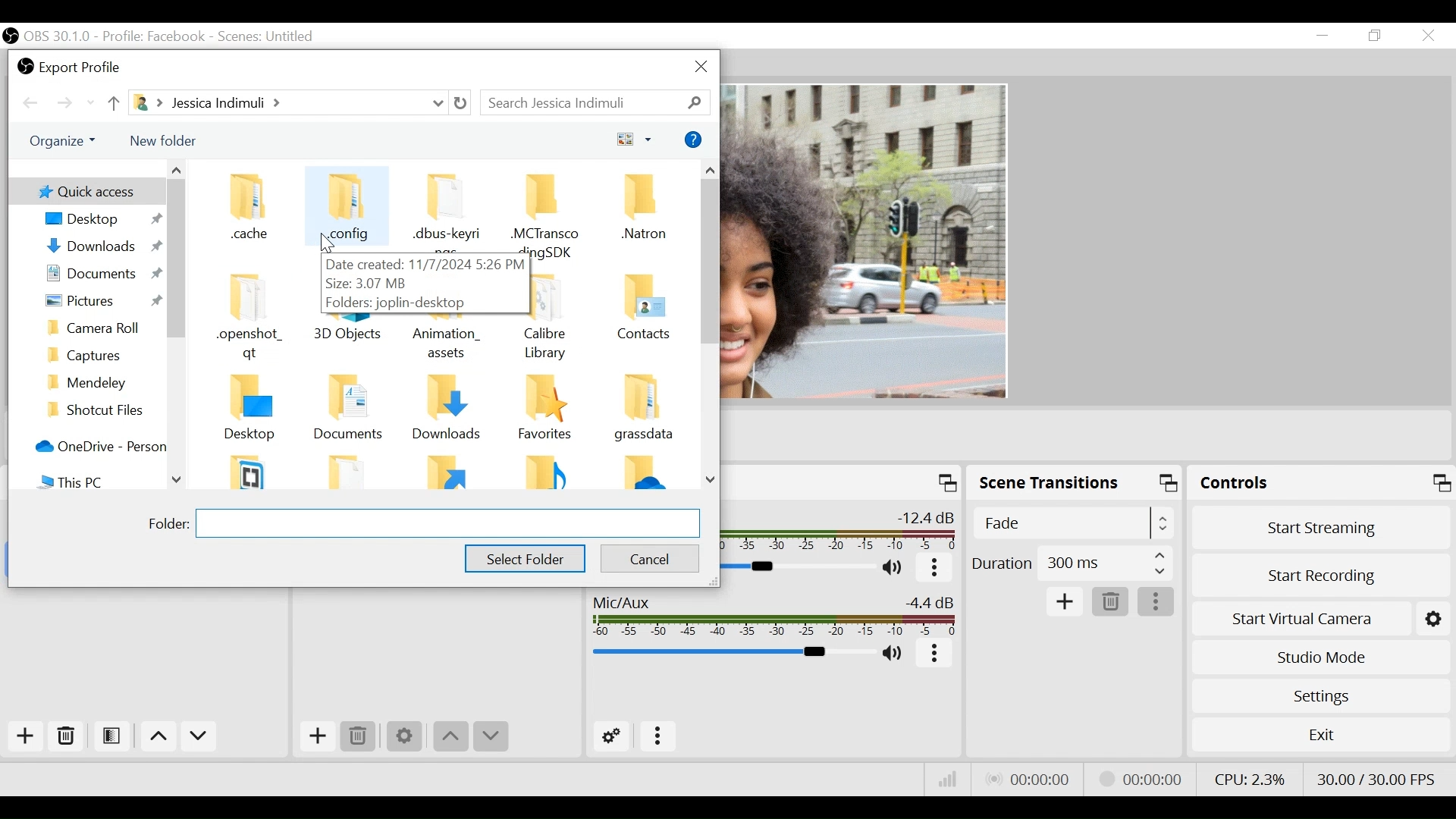 Image resolution: width=1456 pixels, height=819 pixels. I want to click on Folder, so click(256, 318).